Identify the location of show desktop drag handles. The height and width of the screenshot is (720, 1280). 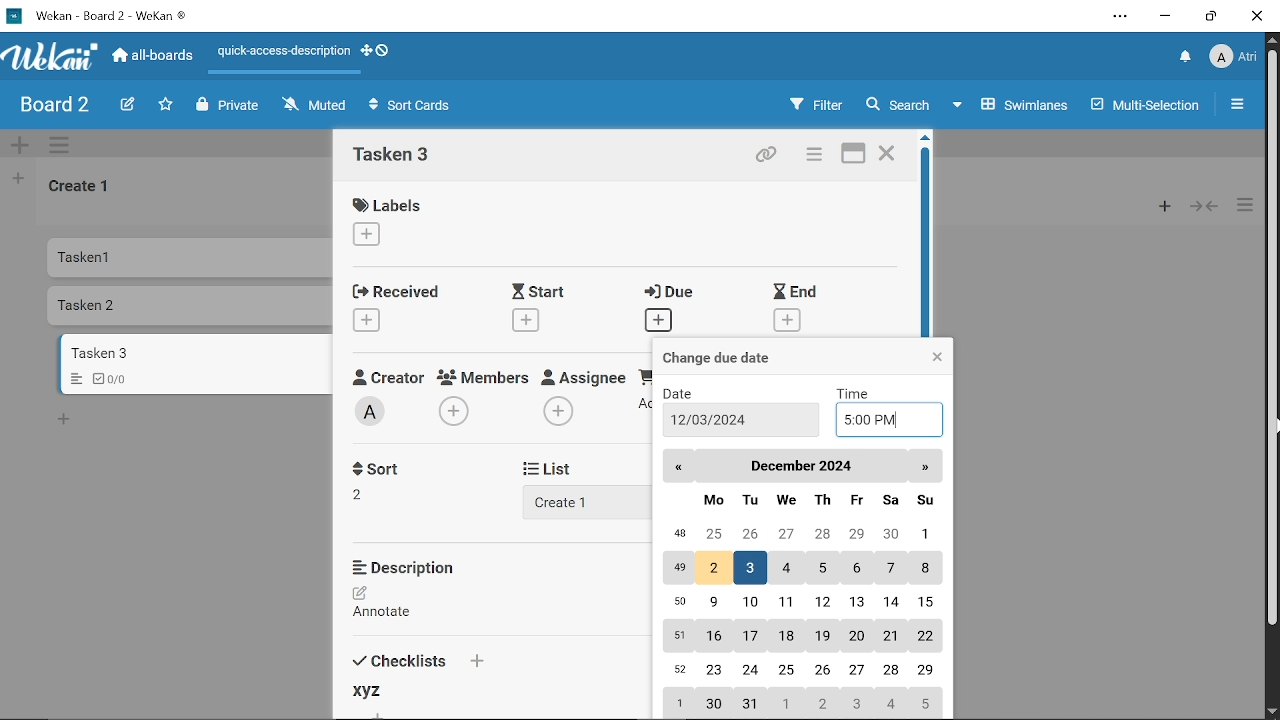
(364, 53).